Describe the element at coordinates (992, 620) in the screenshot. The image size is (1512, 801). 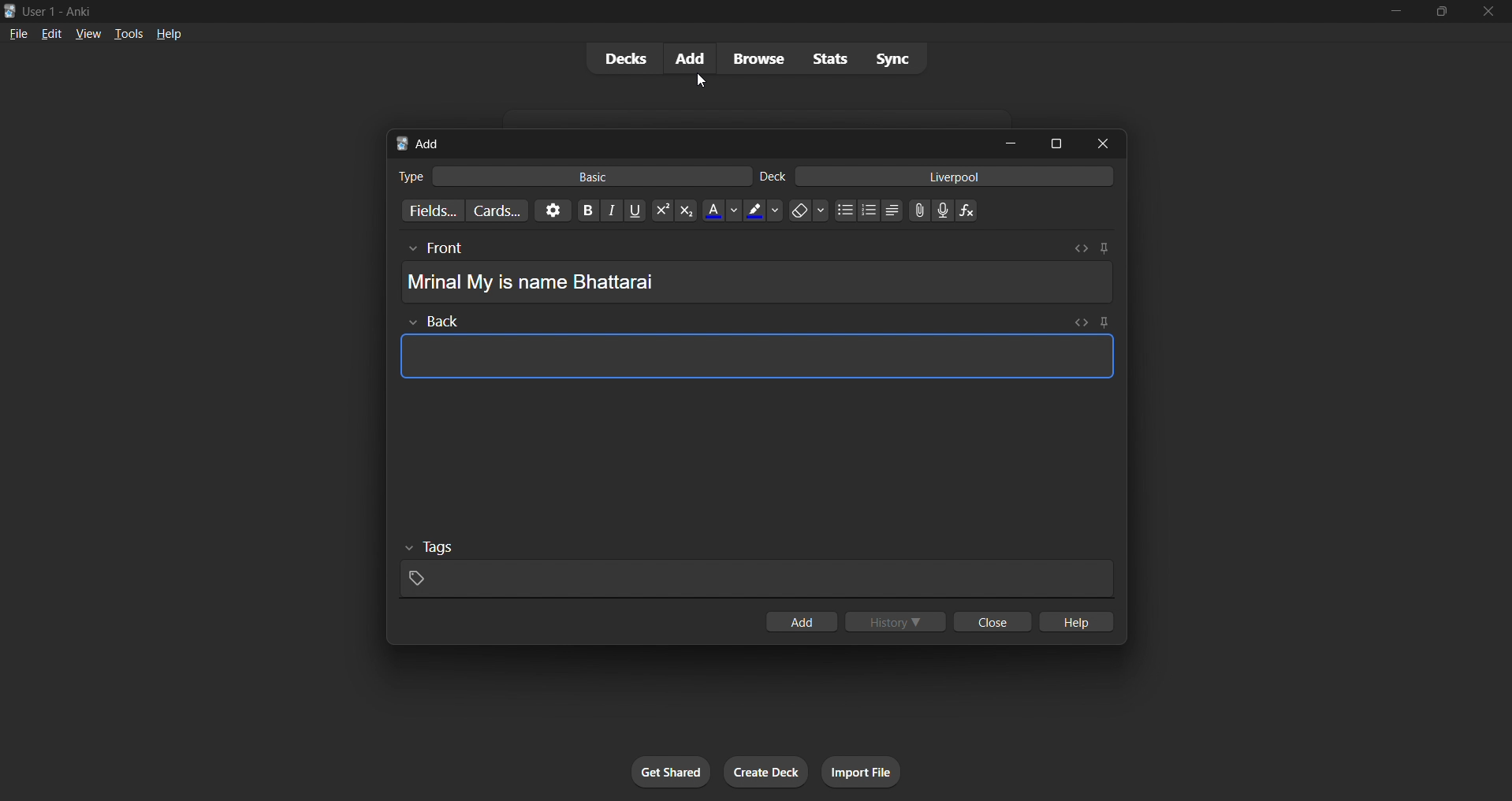
I see `close` at that location.